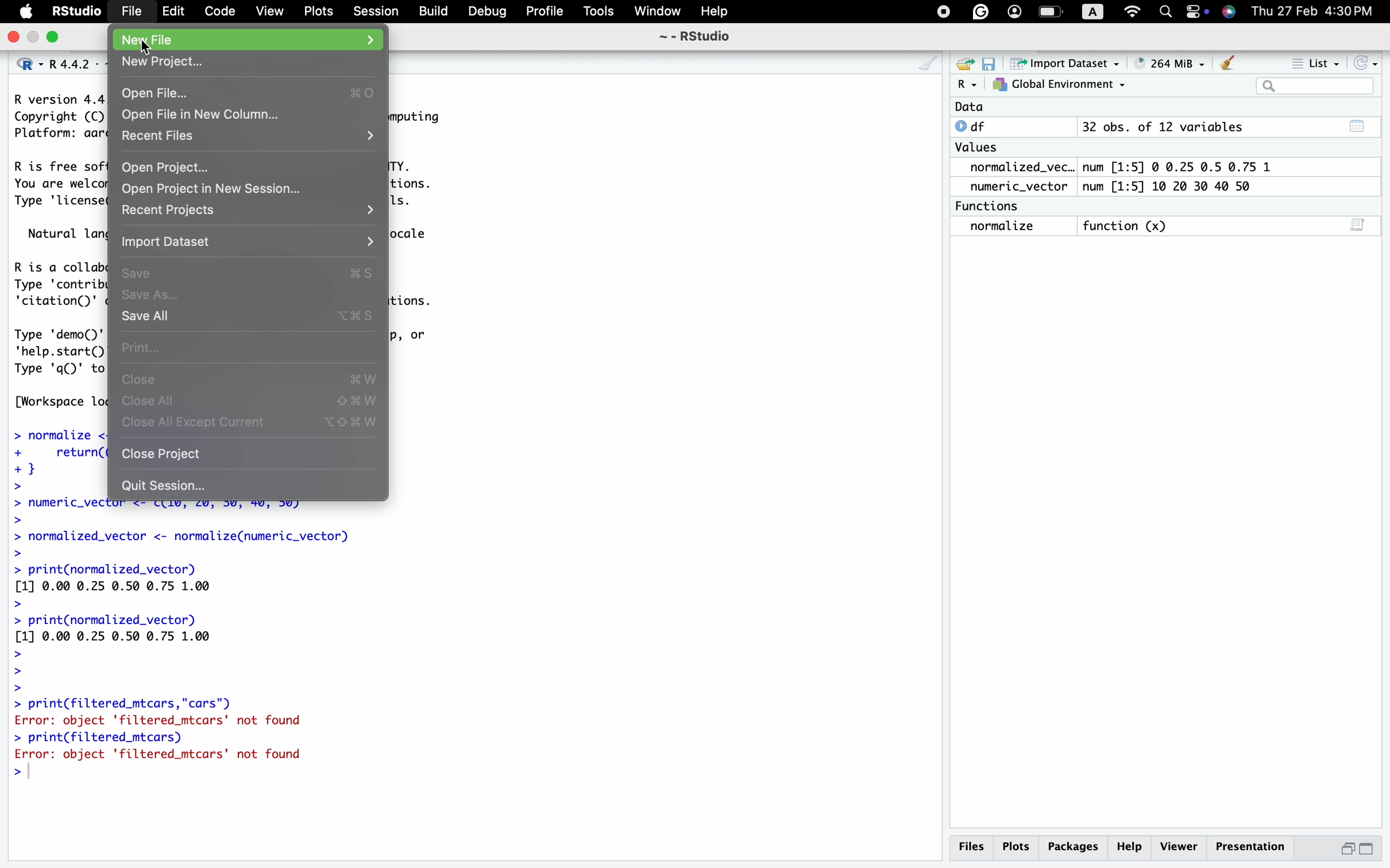 This screenshot has width=1390, height=868. What do you see at coordinates (248, 40) in the screenshot?
I see `New file` at bounding box center [248, 40].